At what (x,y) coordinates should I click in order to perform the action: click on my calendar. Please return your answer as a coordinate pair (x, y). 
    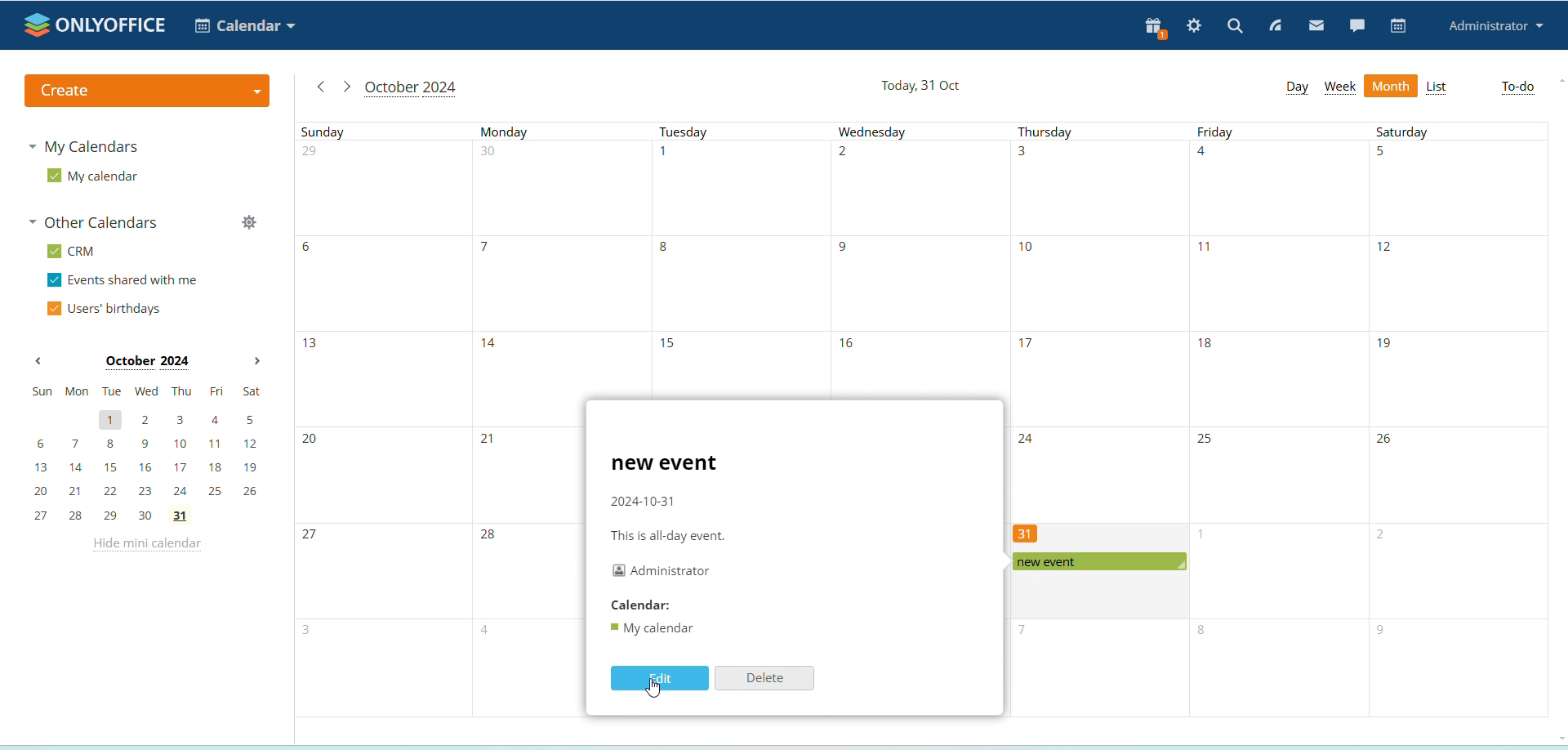
    Looking at the image, I should click on (92, 176).